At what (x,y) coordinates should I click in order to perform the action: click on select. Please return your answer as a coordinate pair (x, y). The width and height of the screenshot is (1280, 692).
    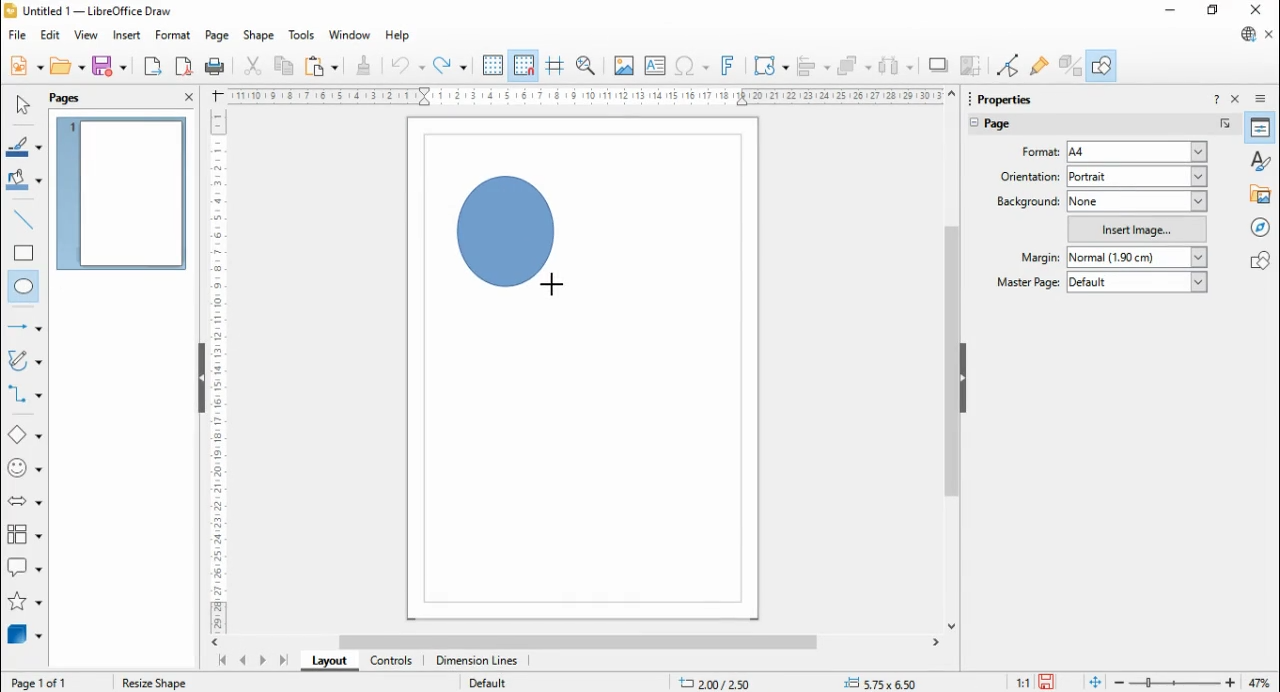
    Looking at the image, I should click on (22, 104).